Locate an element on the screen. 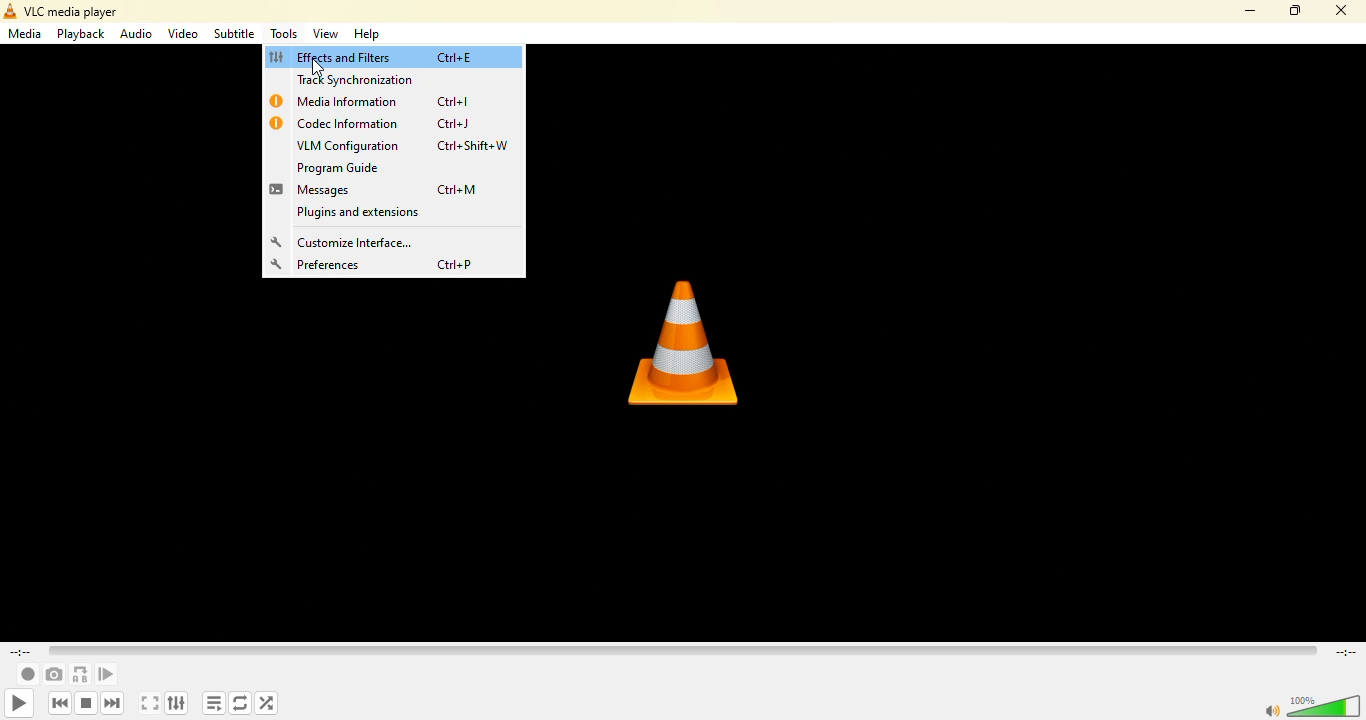 The height and width of the screenshot is (720, 1366). frame by frame is located at coordinates (106, 673).